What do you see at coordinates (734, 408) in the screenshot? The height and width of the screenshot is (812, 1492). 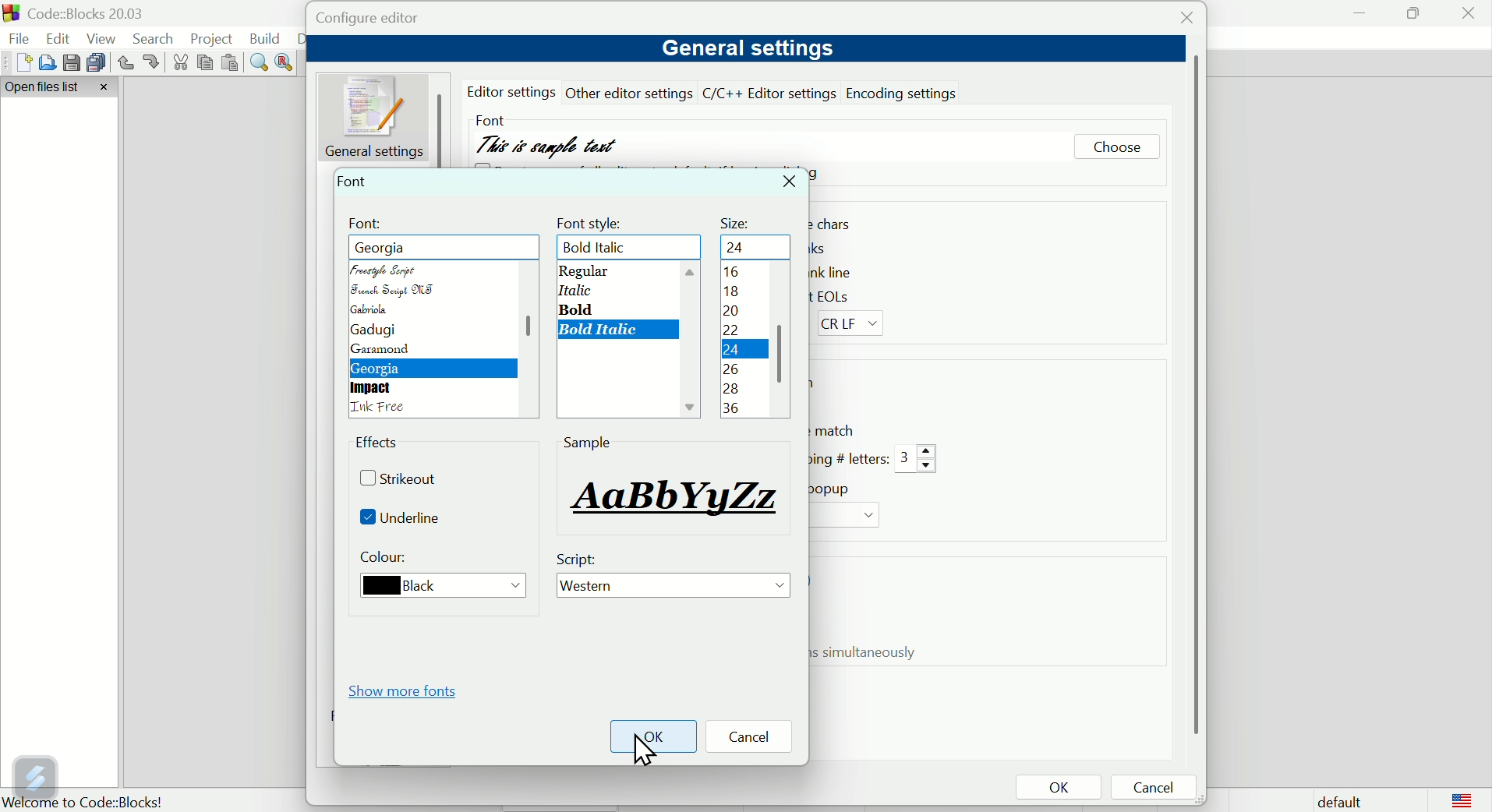 I see `` at bounding box center [734, 408].